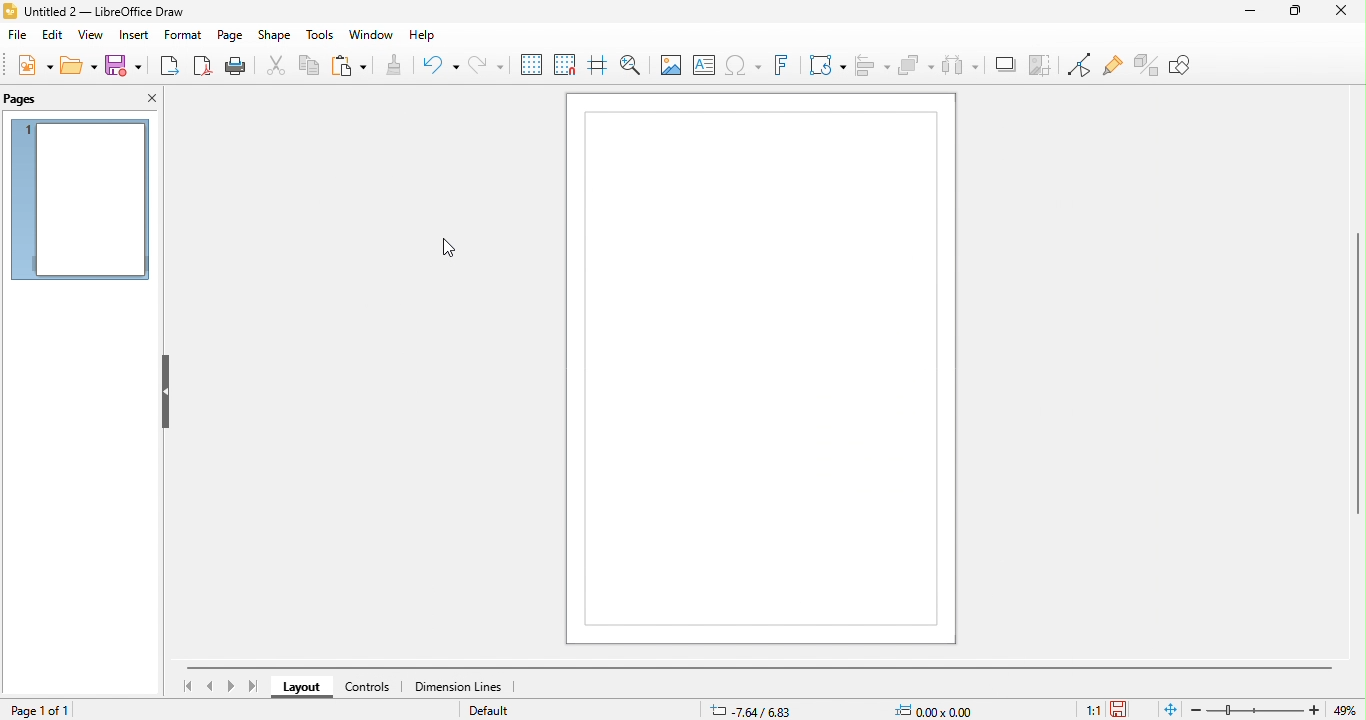 Image resolution: width=1366 pixels, height=720 pixels. What do you see at coordinates (80, 204) in the screenshot?
I see `page preview` at bounding box center [80, 204].